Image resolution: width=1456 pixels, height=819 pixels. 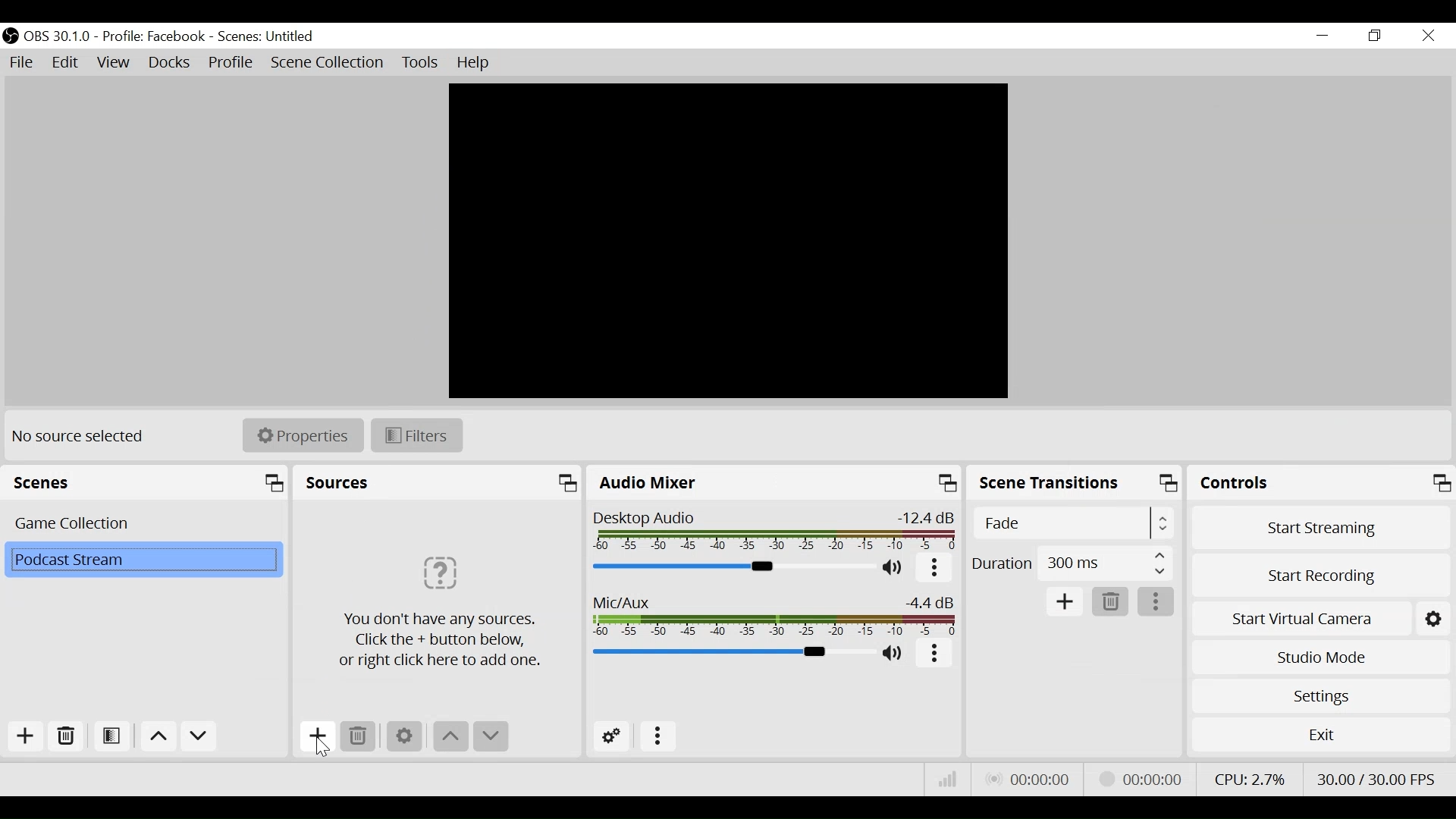 What do you see at coordinates (325, 749) in the screenshot?
I see `Cursor` at bounding box center [325, 749].